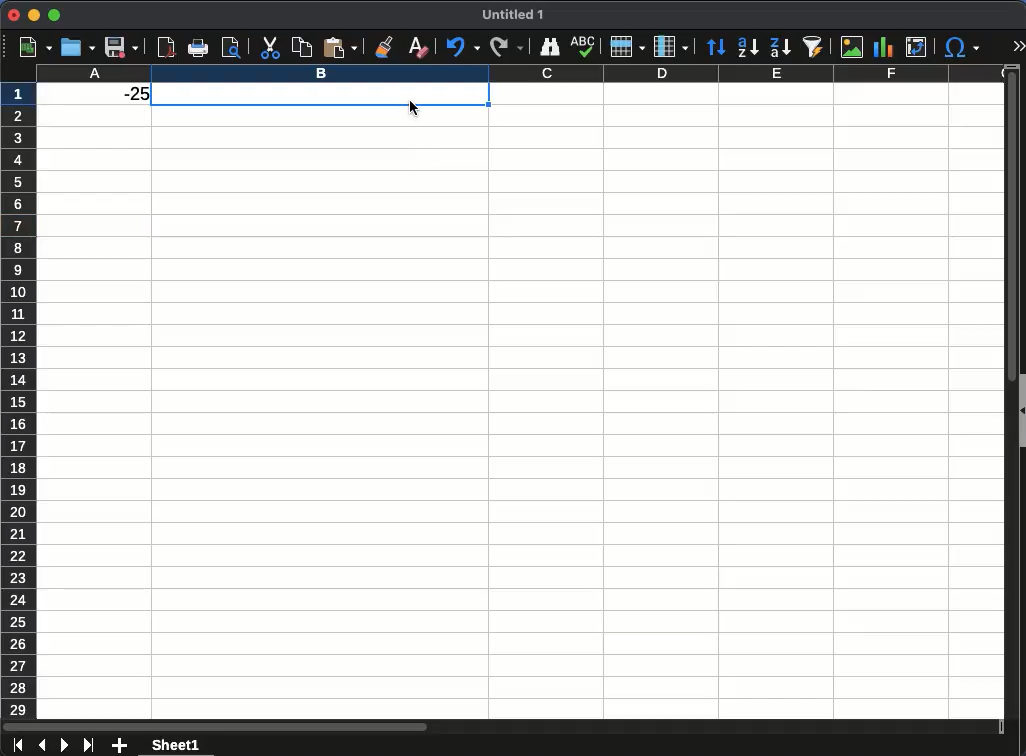 Image resolution: width=1026 pixels, height=756 pixels. I want to click on scroll, so click(1005, 397).